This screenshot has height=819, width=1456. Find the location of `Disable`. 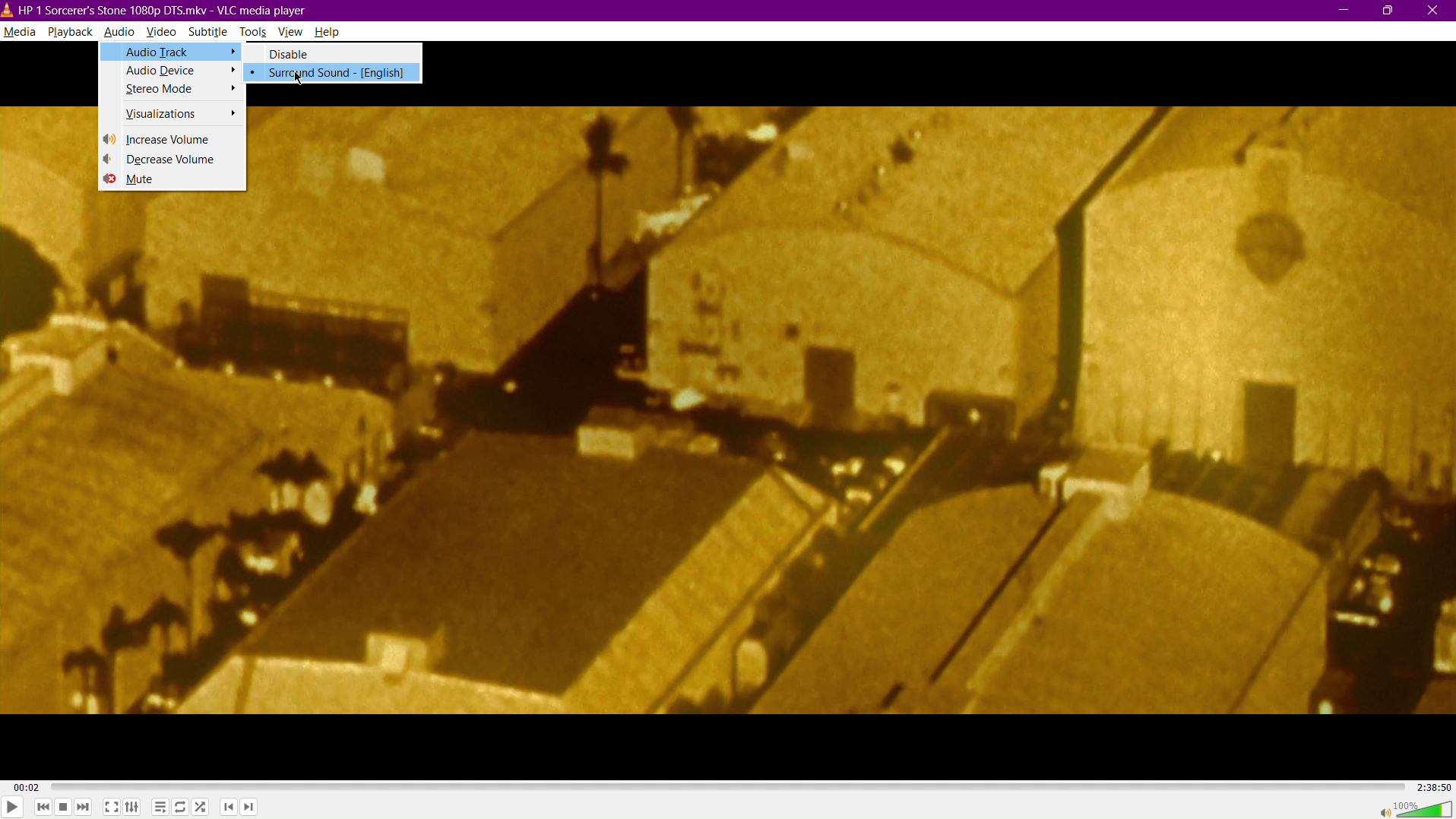

Disable is located at coordinates (336, 54).